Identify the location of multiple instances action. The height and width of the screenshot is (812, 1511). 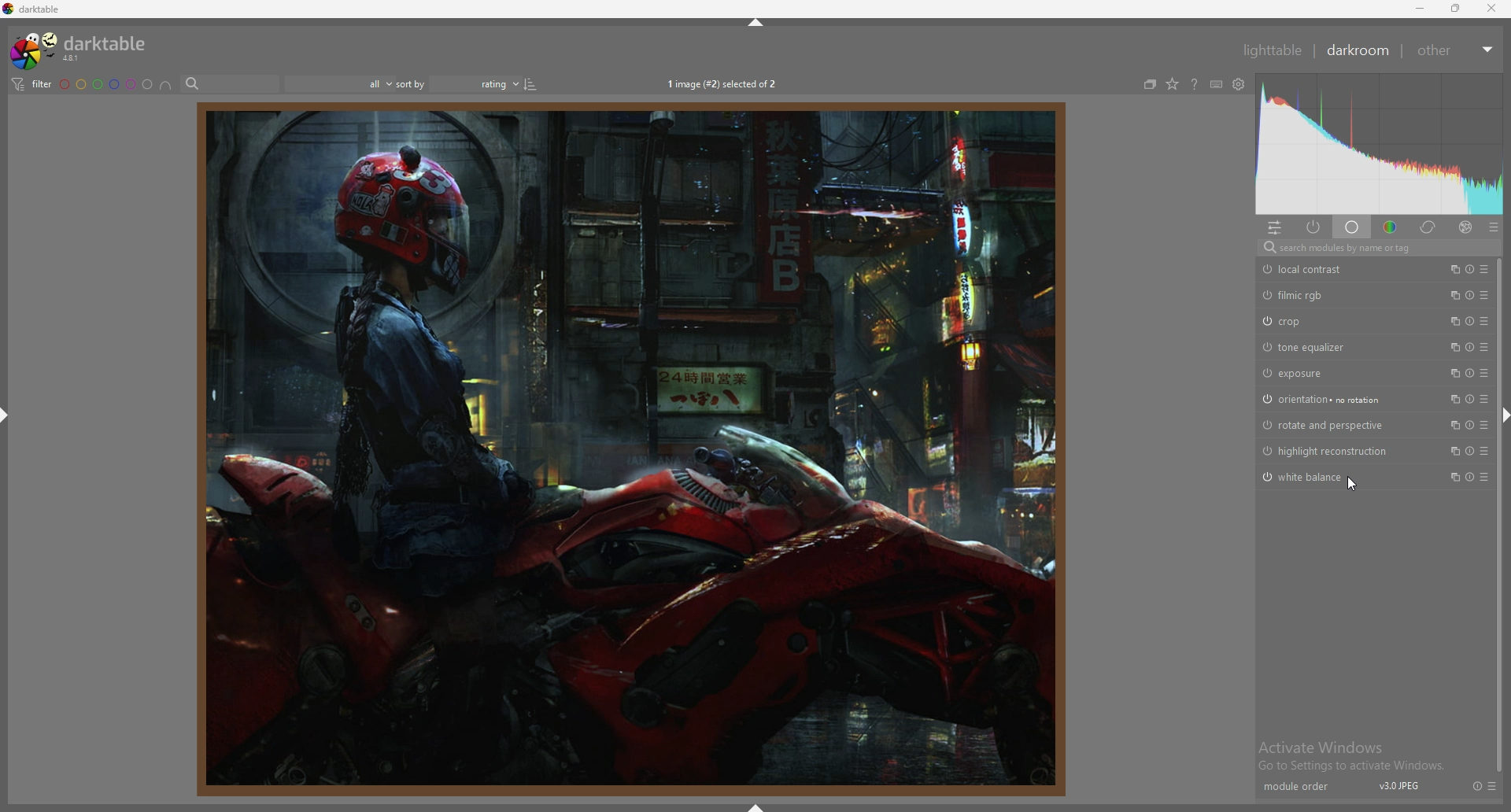
(1450, 269).